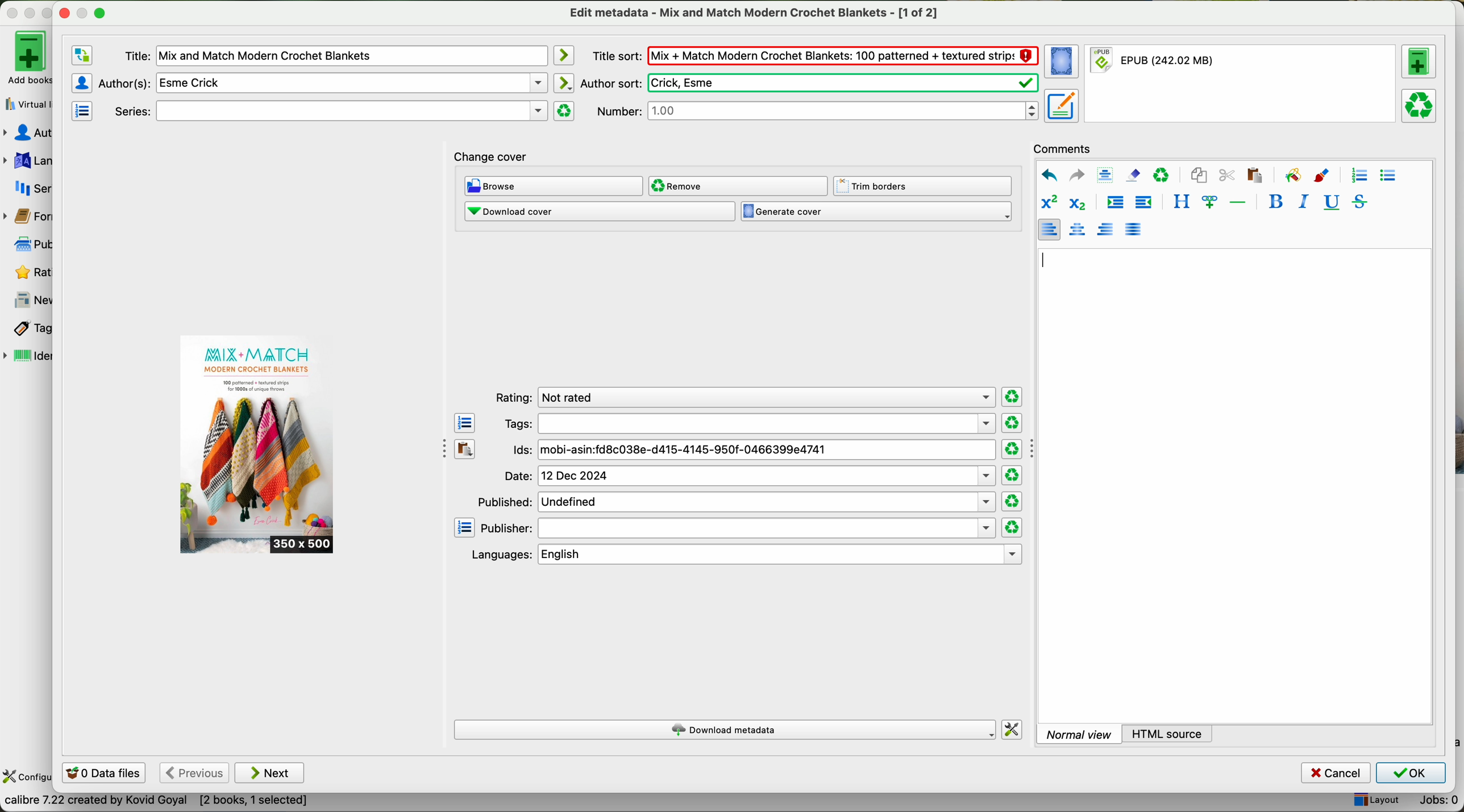 Image resolution: width=1464 pixels, height=812 pixels. Describe the element at coordinates (742, 398) in the screenshot. I see `rating` at that location.